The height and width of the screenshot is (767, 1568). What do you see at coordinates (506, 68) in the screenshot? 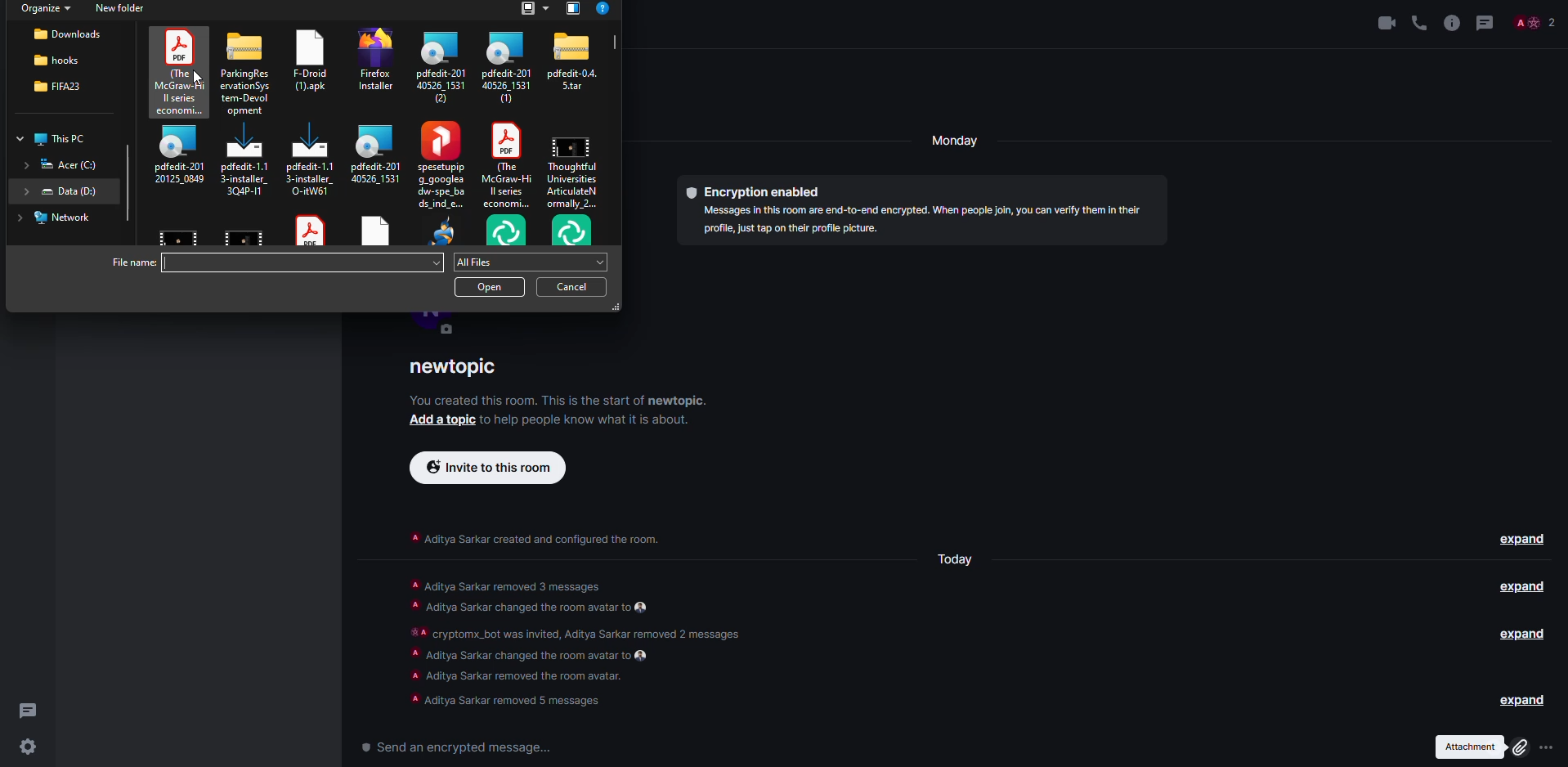
I see `file` at bounding box center [506, 68].